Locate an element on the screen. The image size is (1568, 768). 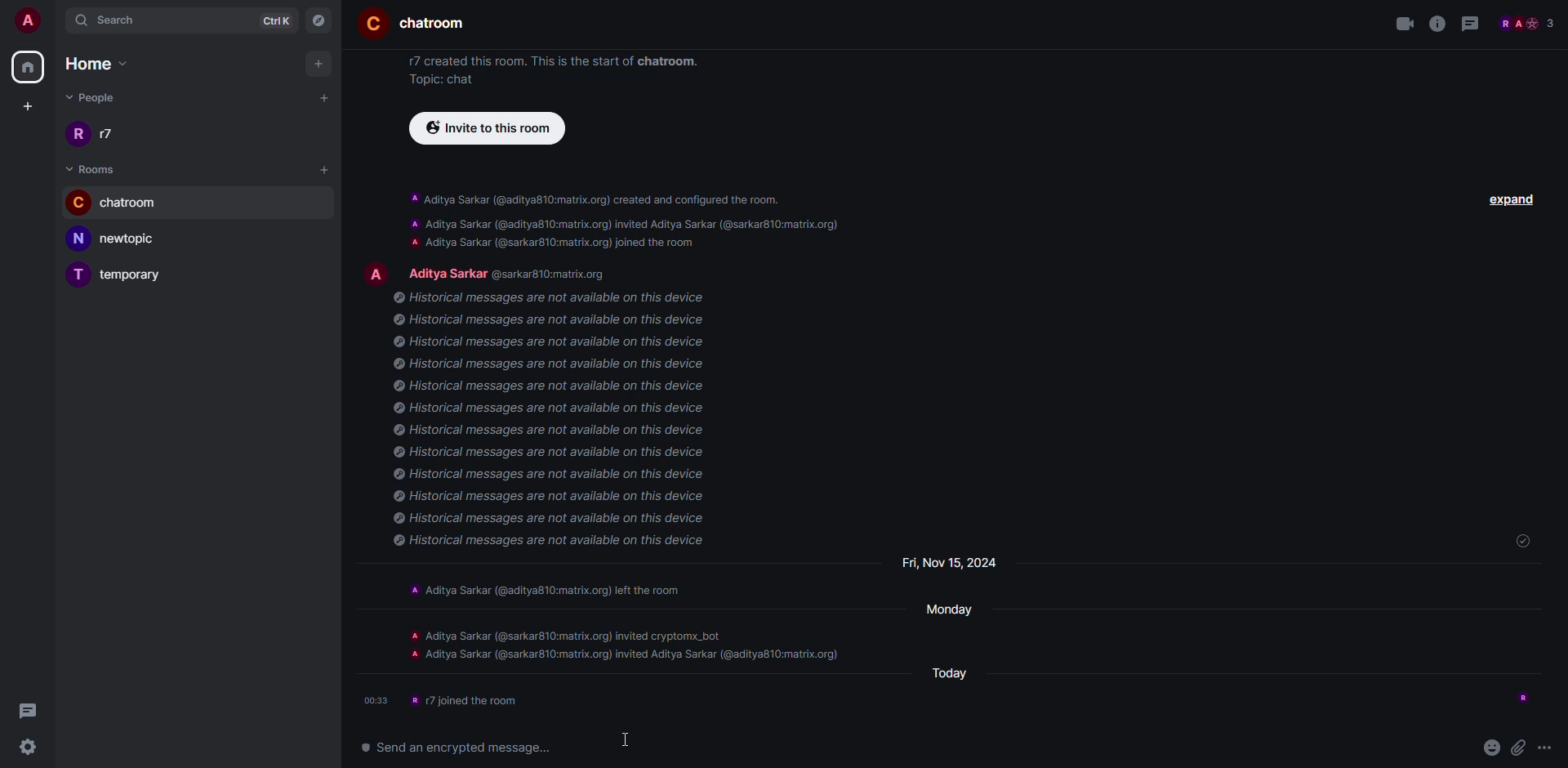
bell is located at coordinates (325, 201).